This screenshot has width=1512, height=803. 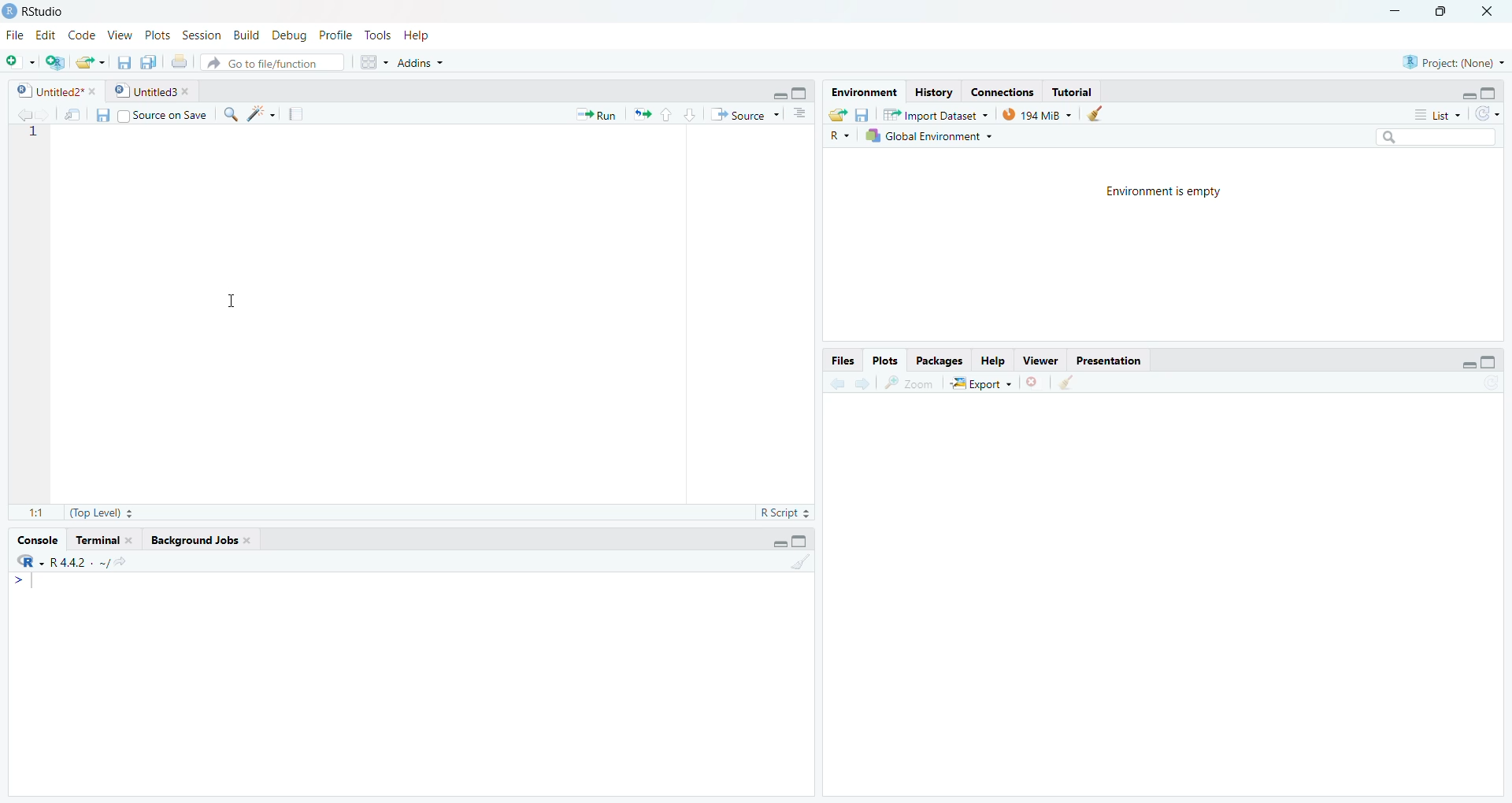 I want to click on Environment, so click(x=862, y=91).